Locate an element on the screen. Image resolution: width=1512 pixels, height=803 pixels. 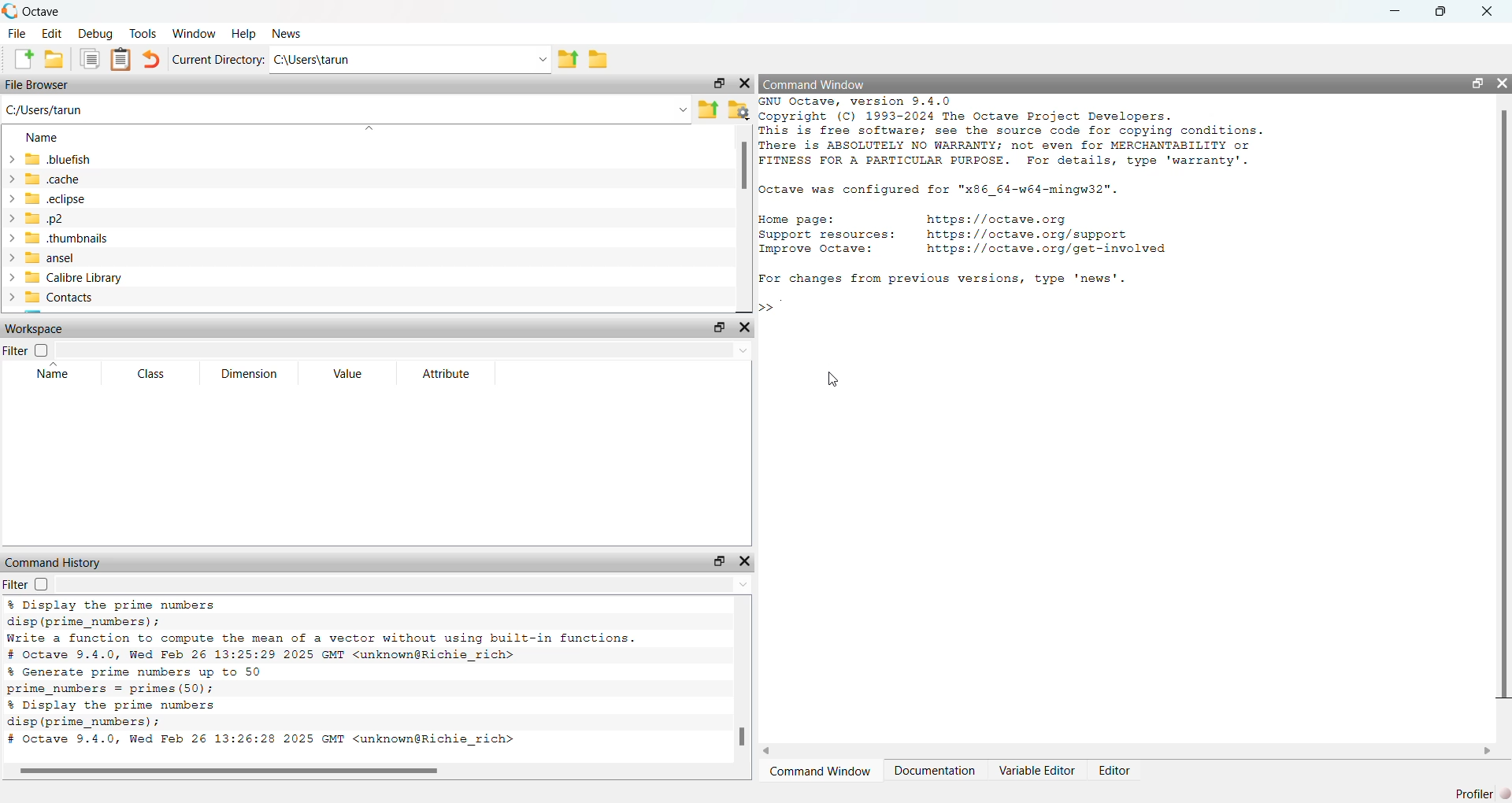
.cache is located at coordinates (52, 179).